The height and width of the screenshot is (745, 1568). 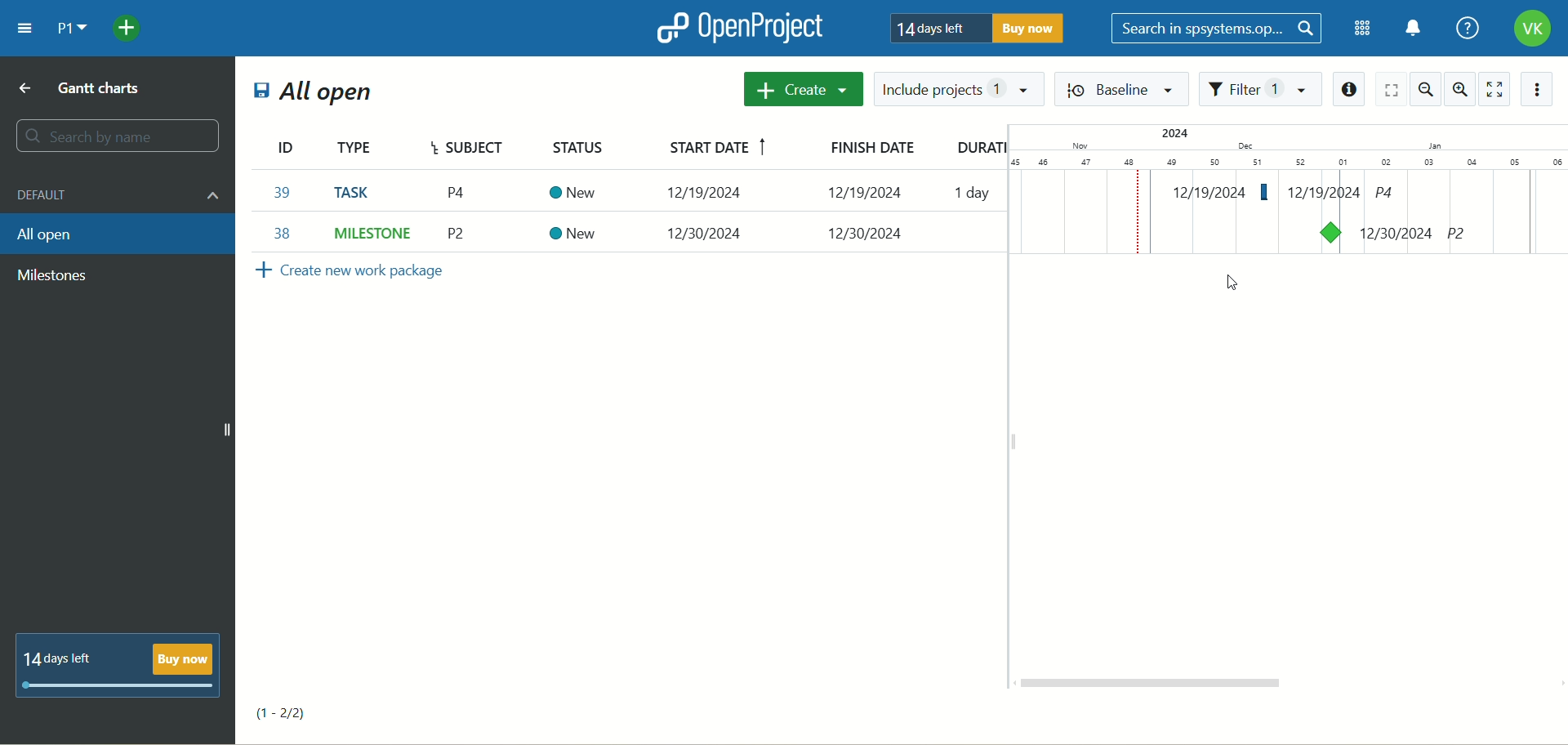 What do you see at coordinates (372, 230) in the screenshot?
I see `TASK` at bounding box center [372, 230].